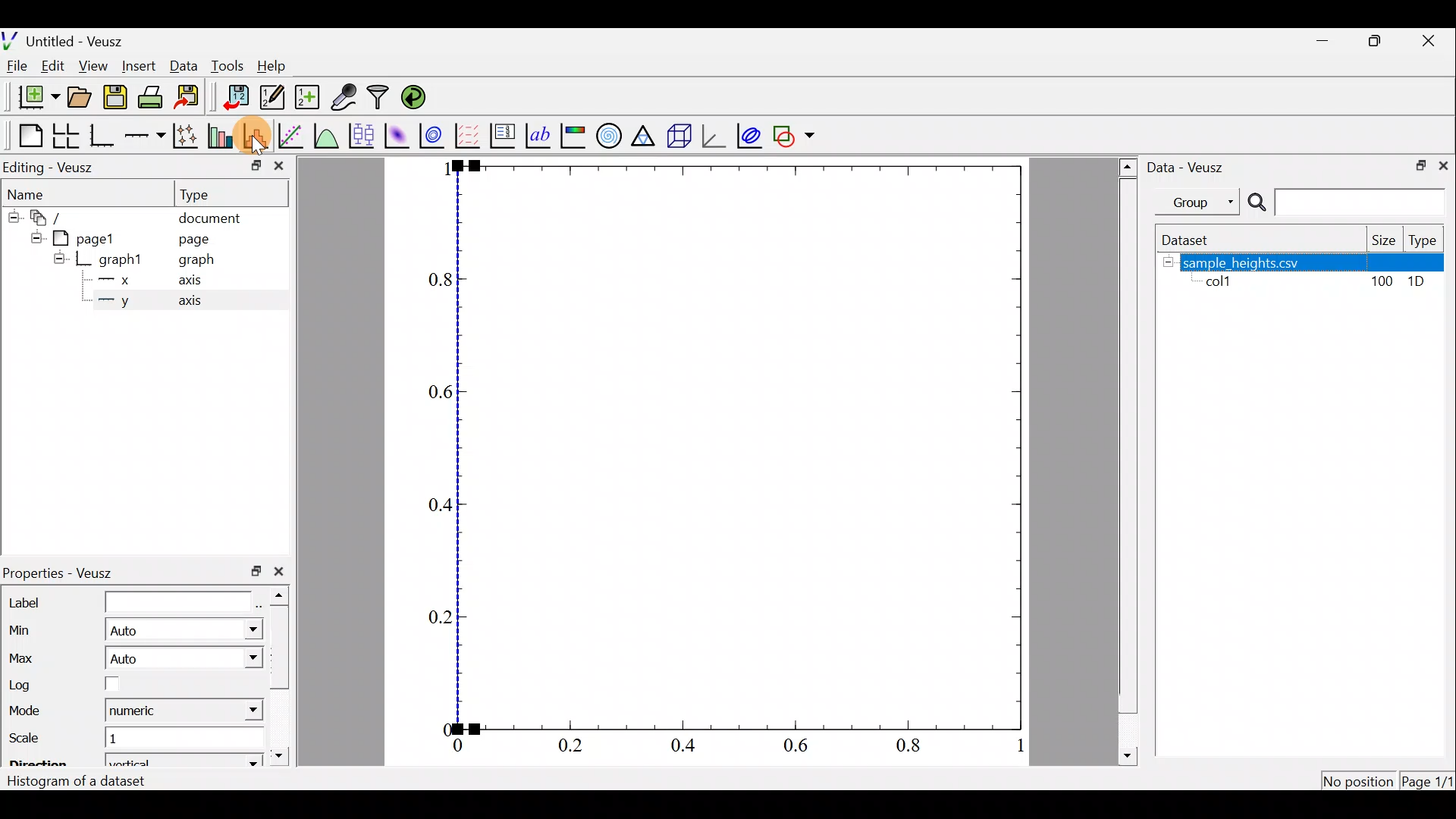 This screenshot has height=819, width=1456. Describe the element at coordinates (127, 600) in the screenshot. I see `Label` at that location.